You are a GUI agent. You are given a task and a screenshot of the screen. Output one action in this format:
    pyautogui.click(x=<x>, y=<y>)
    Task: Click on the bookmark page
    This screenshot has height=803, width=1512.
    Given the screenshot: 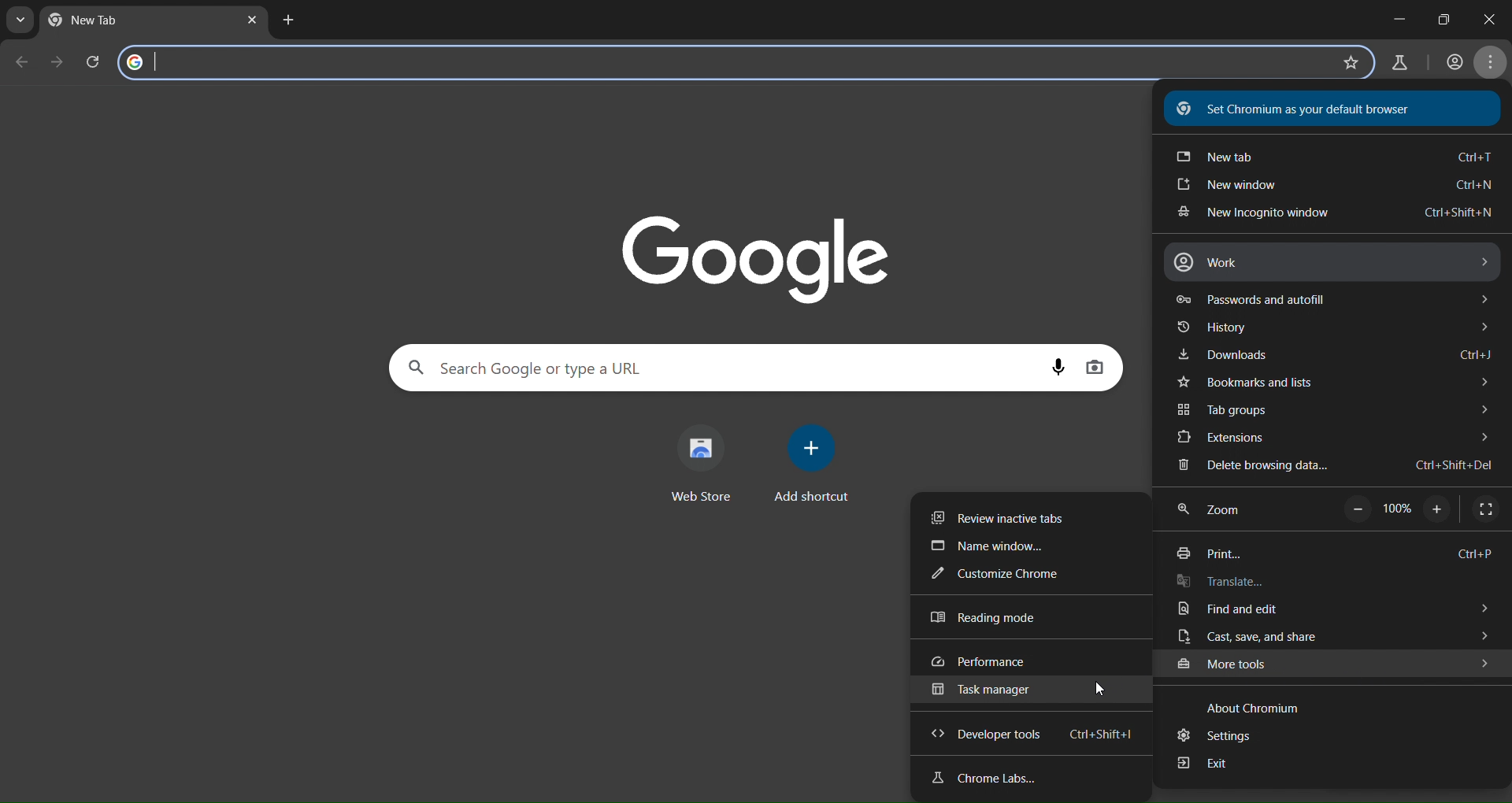 What is the action you would take?
    pyautogui.click(x=1350, y=62)
    